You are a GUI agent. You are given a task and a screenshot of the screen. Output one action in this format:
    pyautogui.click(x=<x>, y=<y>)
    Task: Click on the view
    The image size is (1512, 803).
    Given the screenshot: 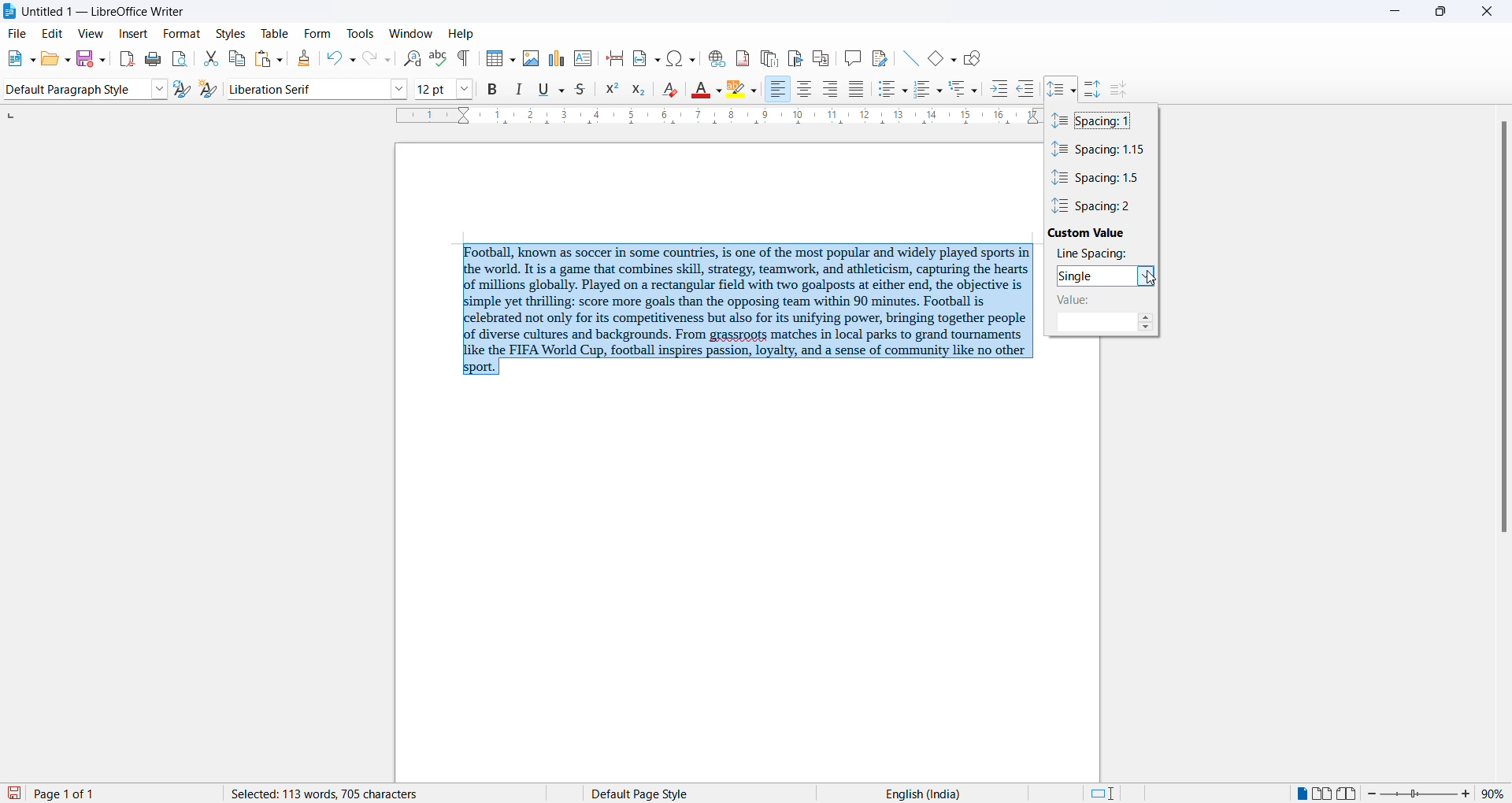 What is the action you would take?
    pyautogui.click(x=88, y=33)
    